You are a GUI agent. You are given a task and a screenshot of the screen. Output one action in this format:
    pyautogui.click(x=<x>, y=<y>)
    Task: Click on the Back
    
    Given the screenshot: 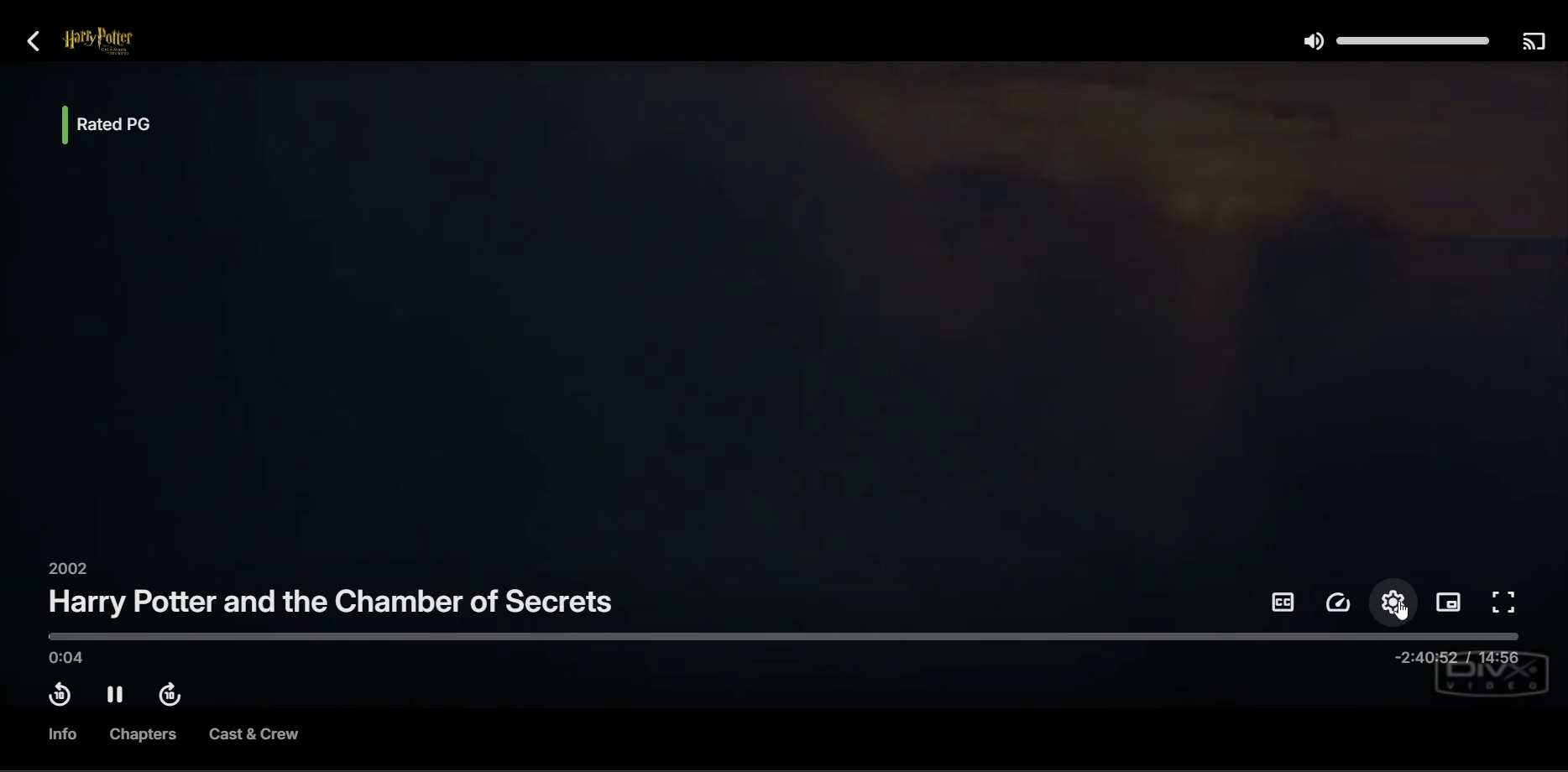 What is the action you would take?
    pyautogui.click(x=42, y=43)
    